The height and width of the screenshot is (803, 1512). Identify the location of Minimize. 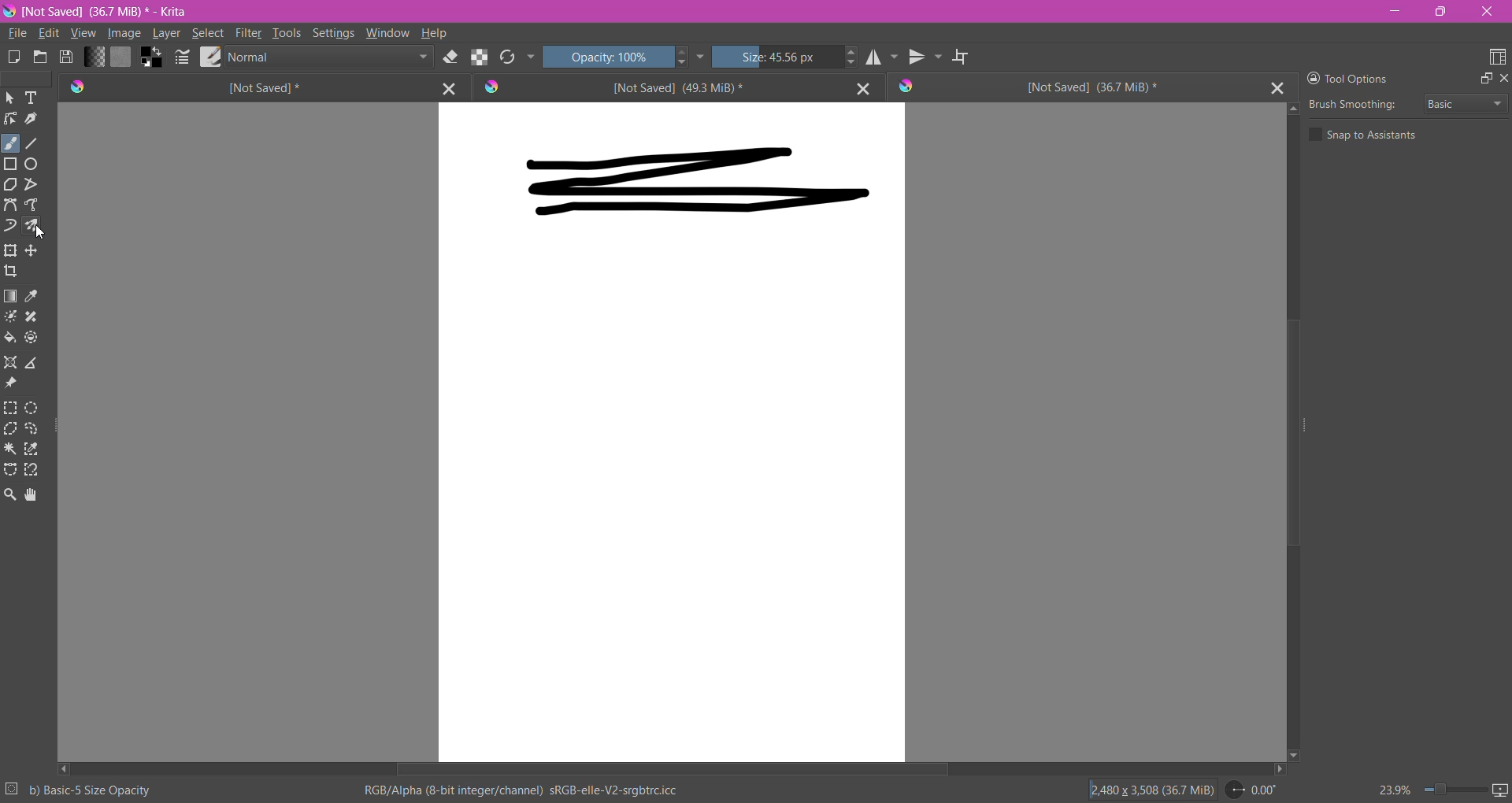
(1394, 10).